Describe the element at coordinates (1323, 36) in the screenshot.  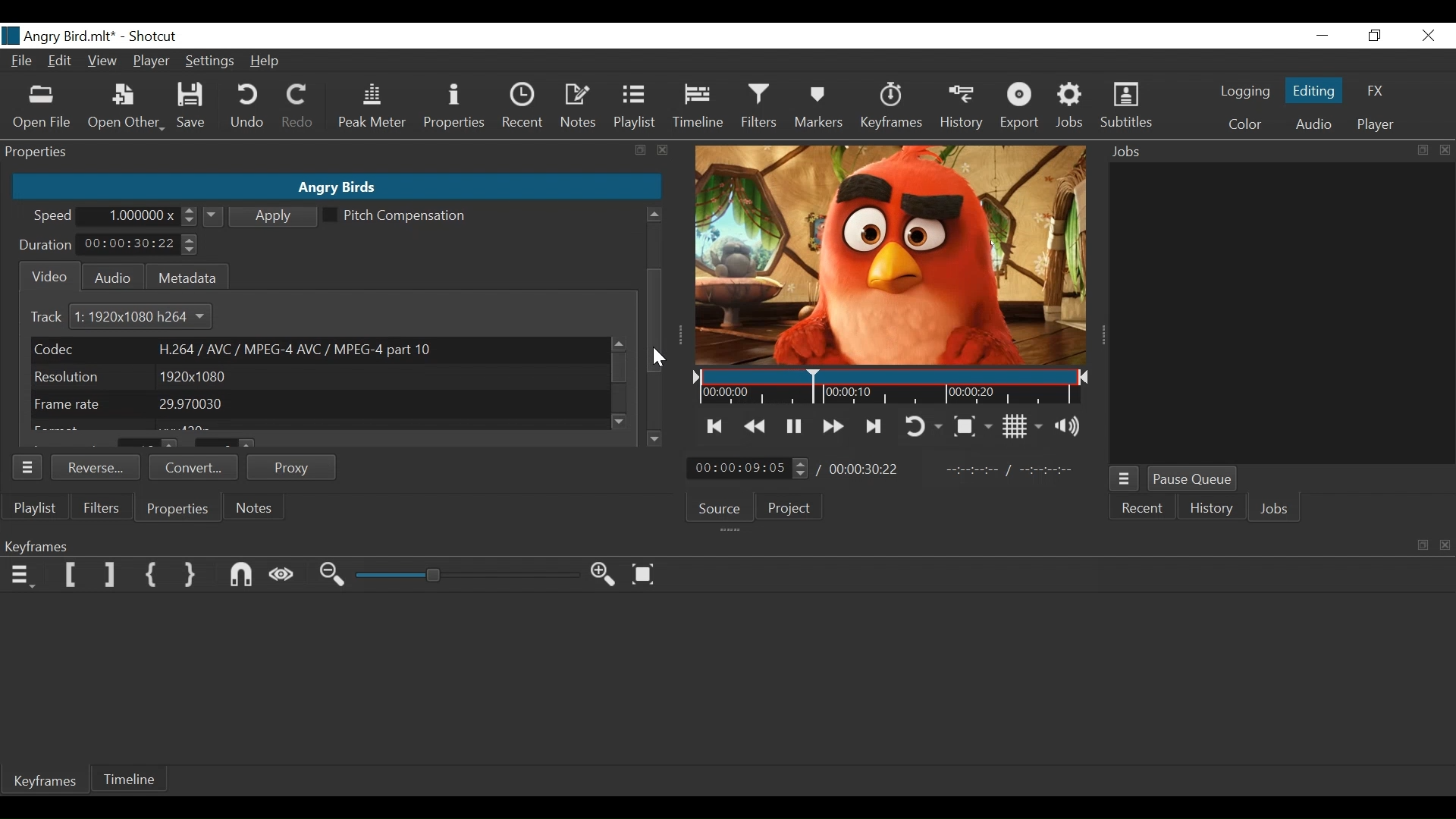
I see `Minimize` at that location.